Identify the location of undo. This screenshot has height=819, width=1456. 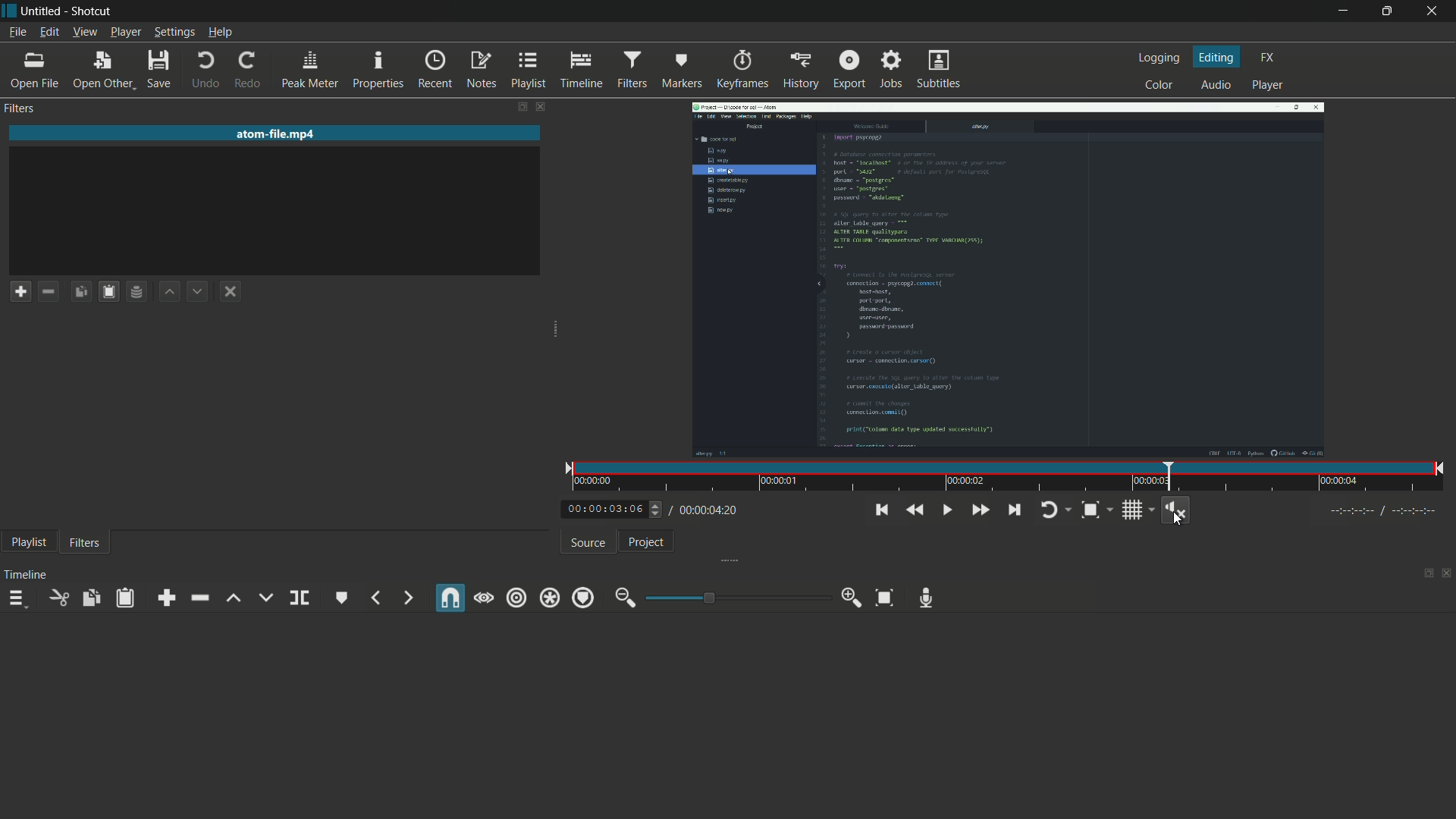
(202, 70).